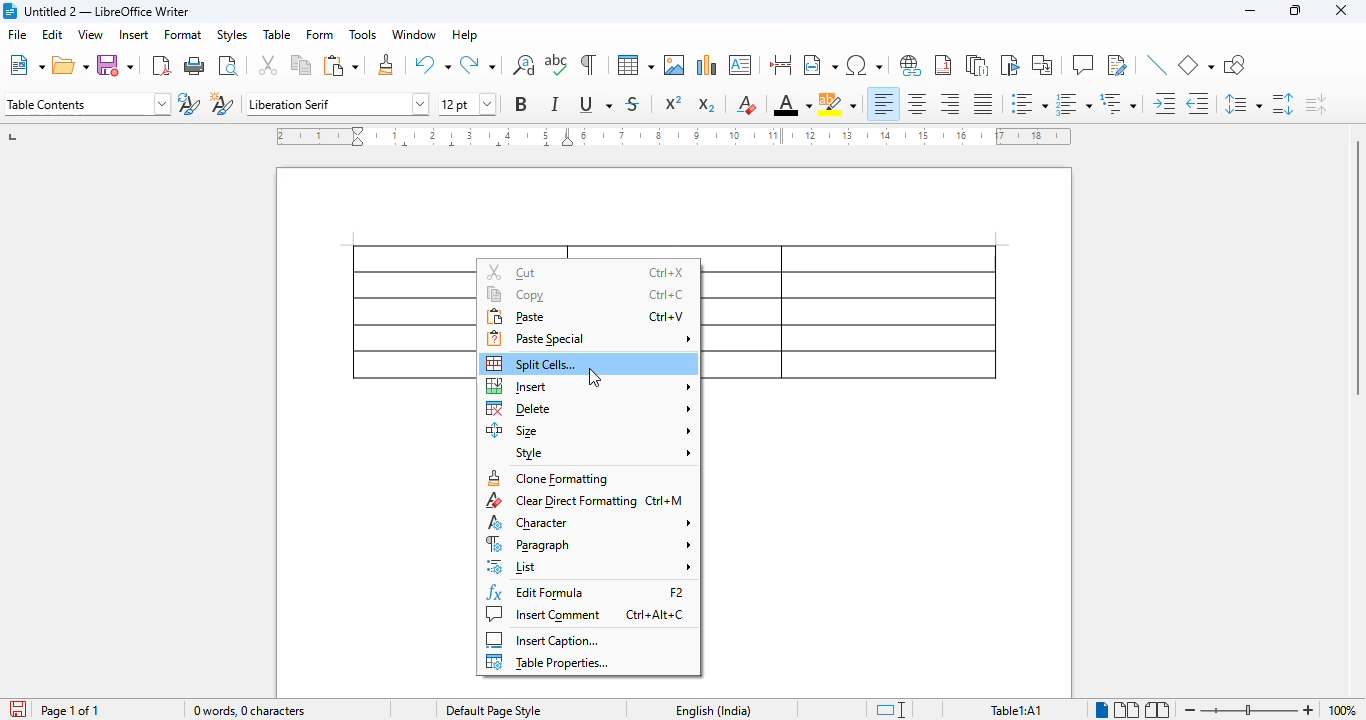 The height and width of the screenshot is (720, 1366). Describe the element at coordinates (86, 104) in the screenshot. I see `set paragraph style` at that location.